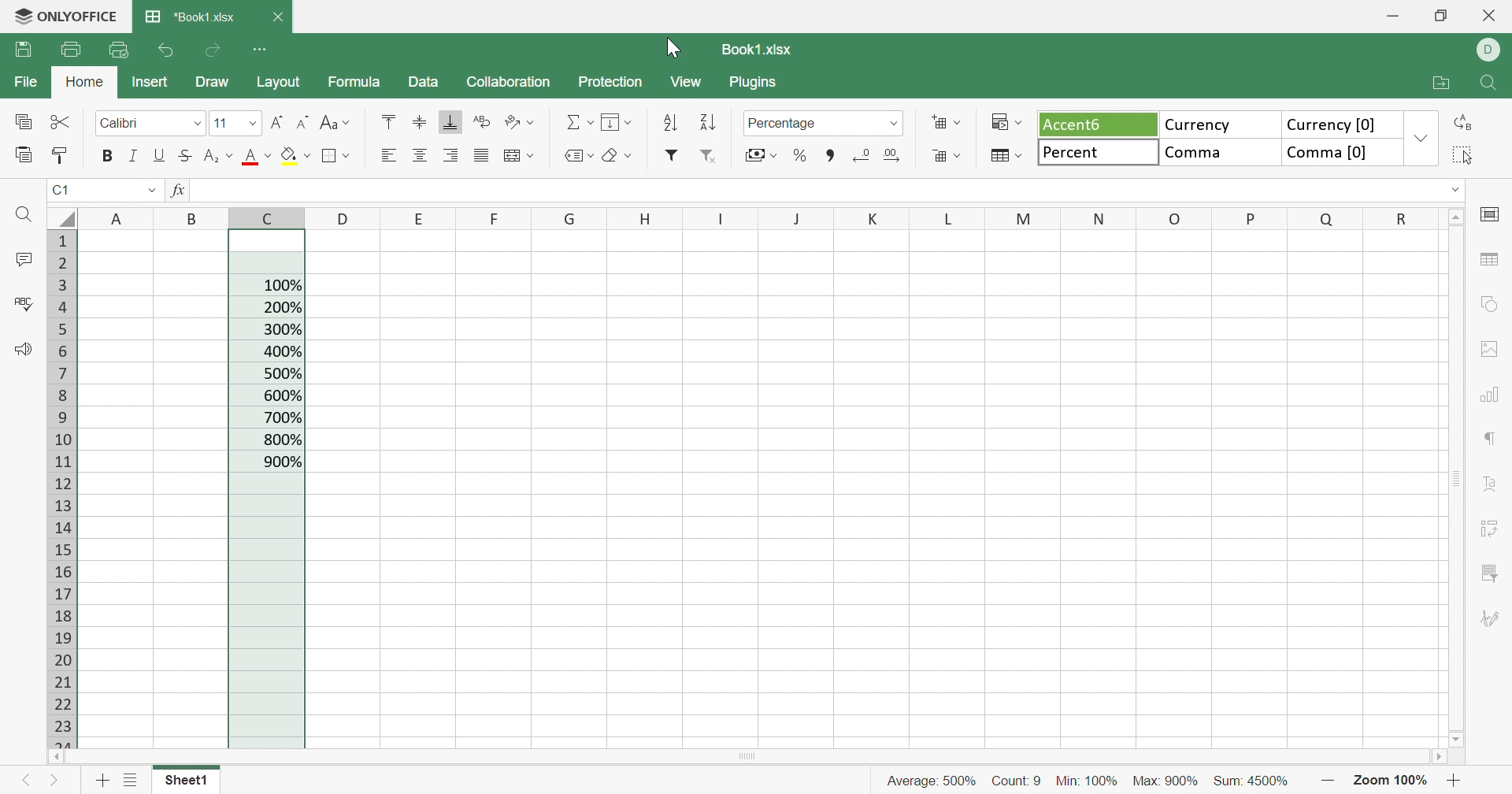 The width and height of the screenshot is (1512, 794). I want to click on Conditional formatting, so click(1005, 123).